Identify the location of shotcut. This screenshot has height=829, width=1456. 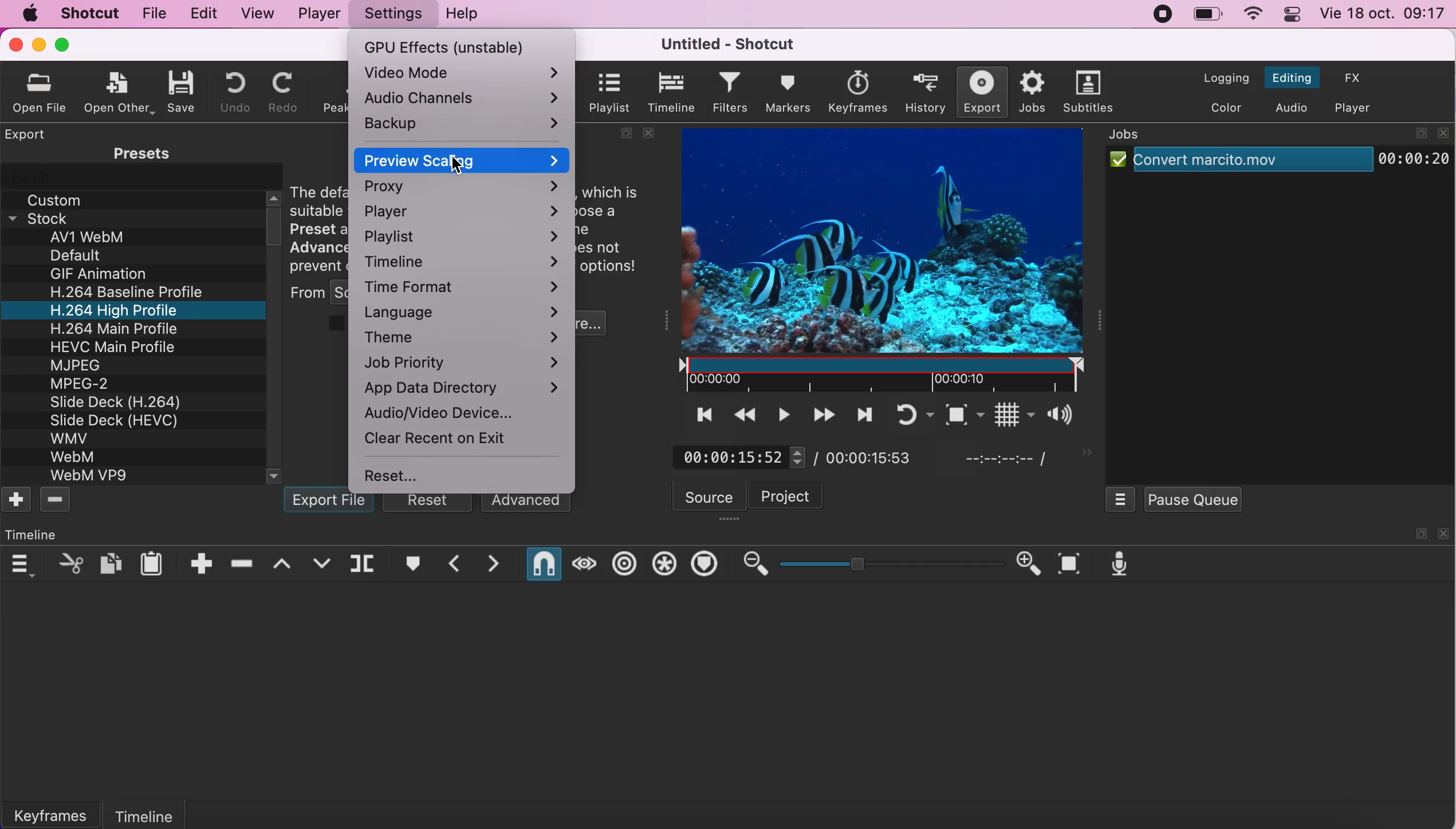
(88, 13).